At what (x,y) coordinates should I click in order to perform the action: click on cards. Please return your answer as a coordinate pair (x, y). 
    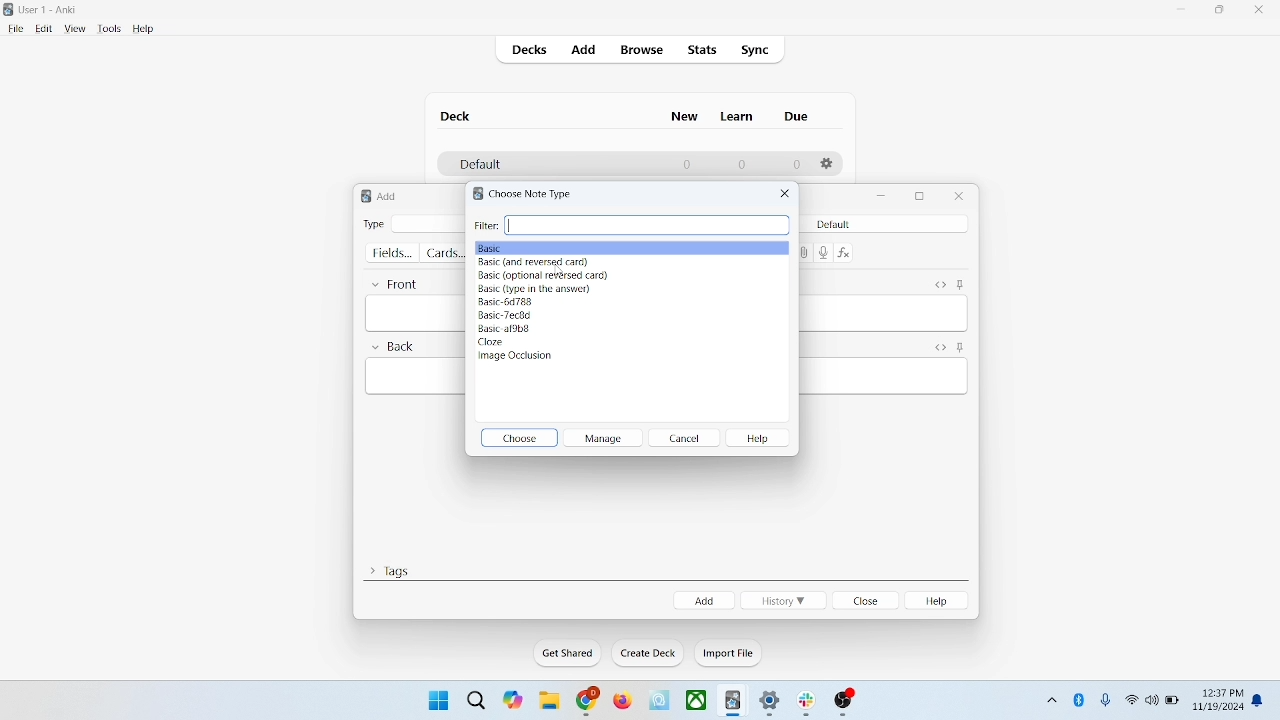
    Looking at the image, I should click on (442, 254).